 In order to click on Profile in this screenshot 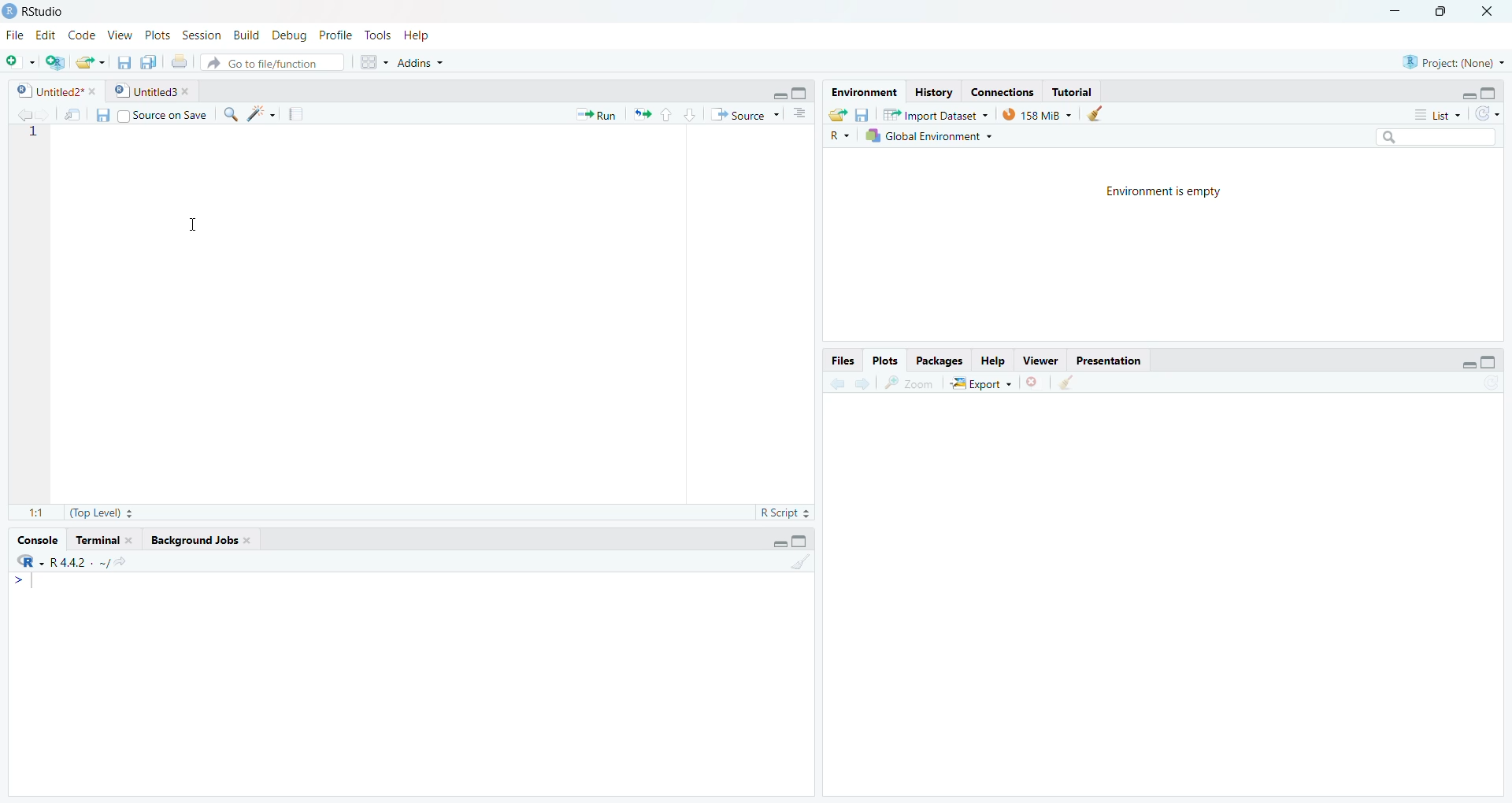, I will do `click(333, 35)`.